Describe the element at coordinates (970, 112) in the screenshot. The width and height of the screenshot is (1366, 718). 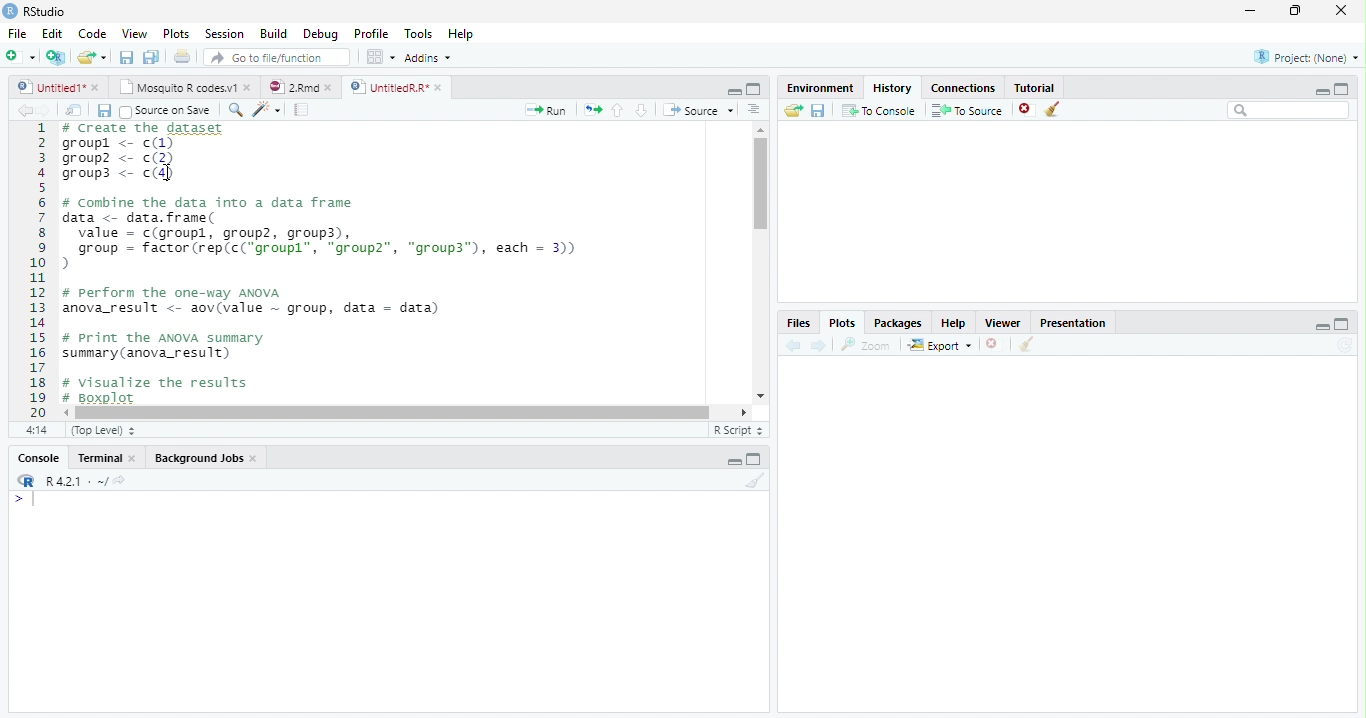
I see `To source` at that location.